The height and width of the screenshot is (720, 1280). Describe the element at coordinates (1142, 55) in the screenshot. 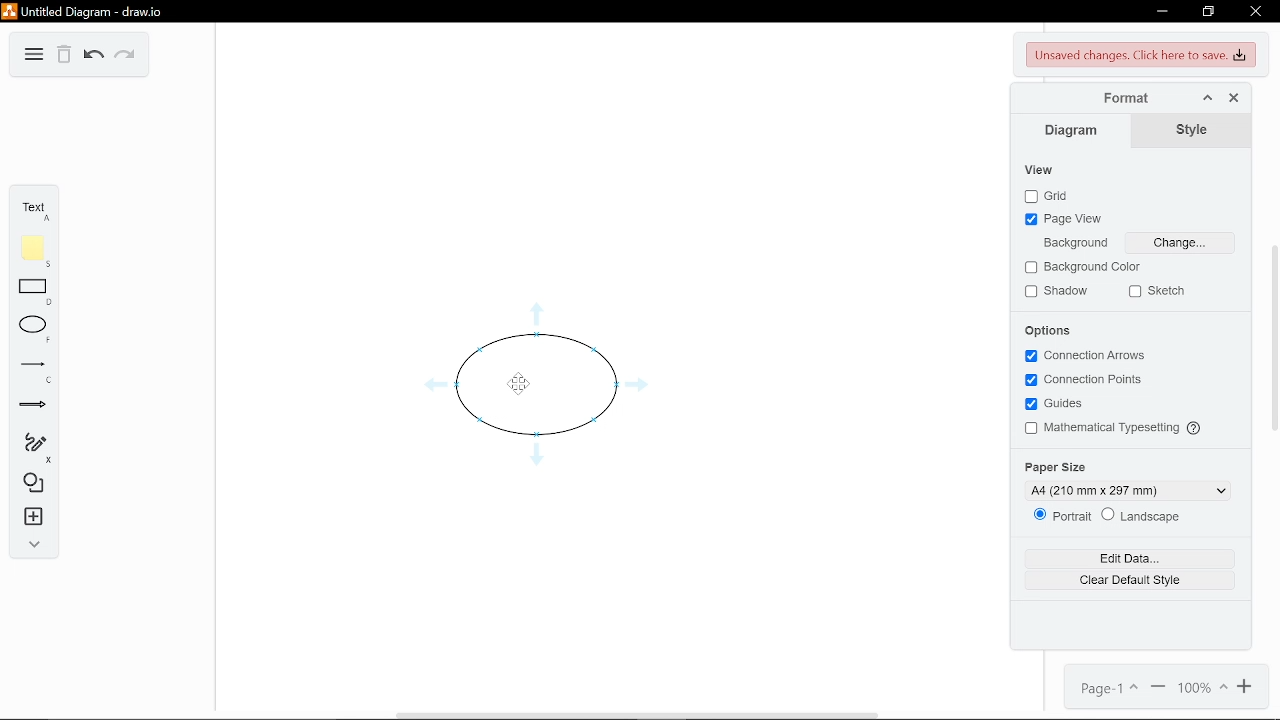

I see `Unsaved chaanges` at that location.